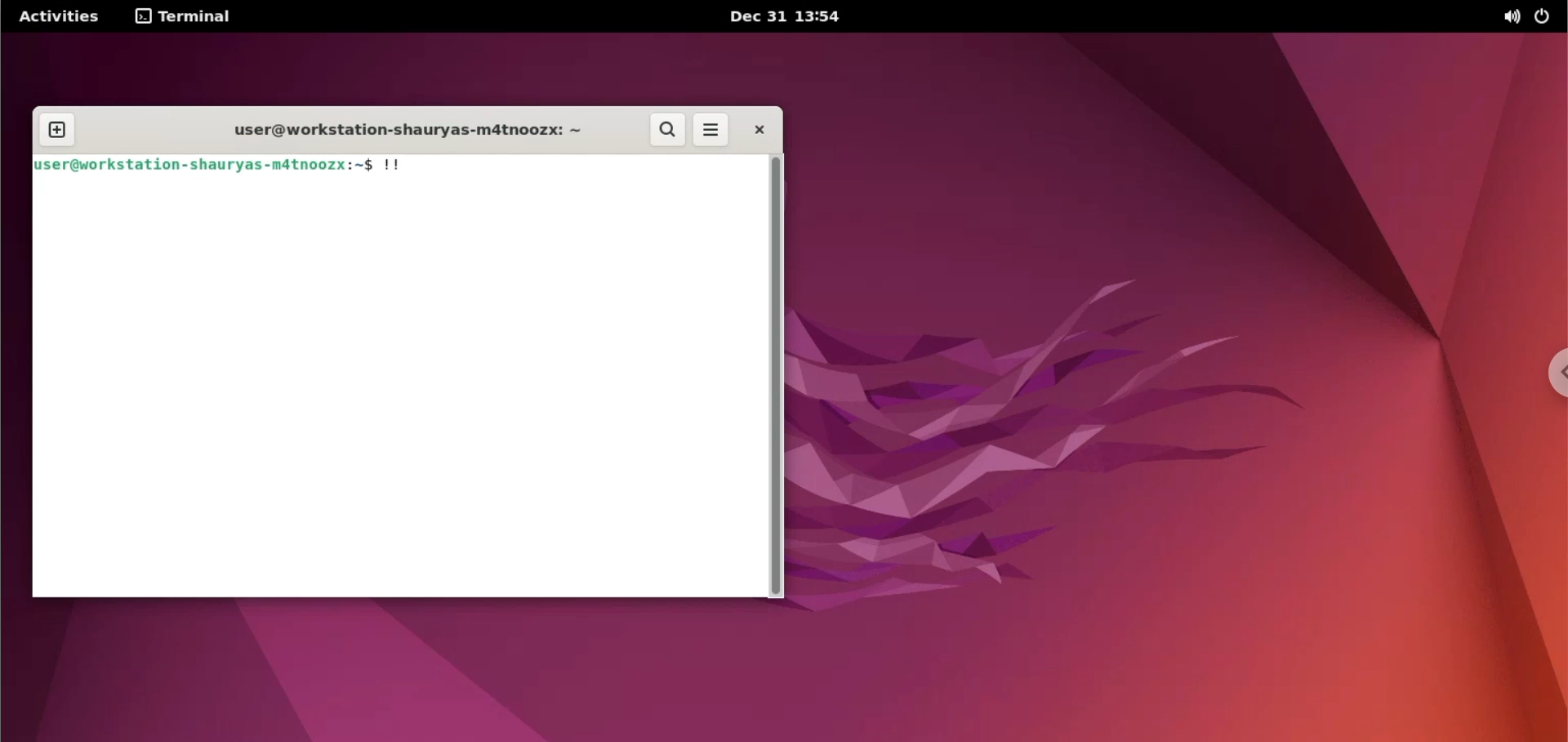 This screenshot has height=742, width=1568. I want to click on terminal, so click(189, 15).